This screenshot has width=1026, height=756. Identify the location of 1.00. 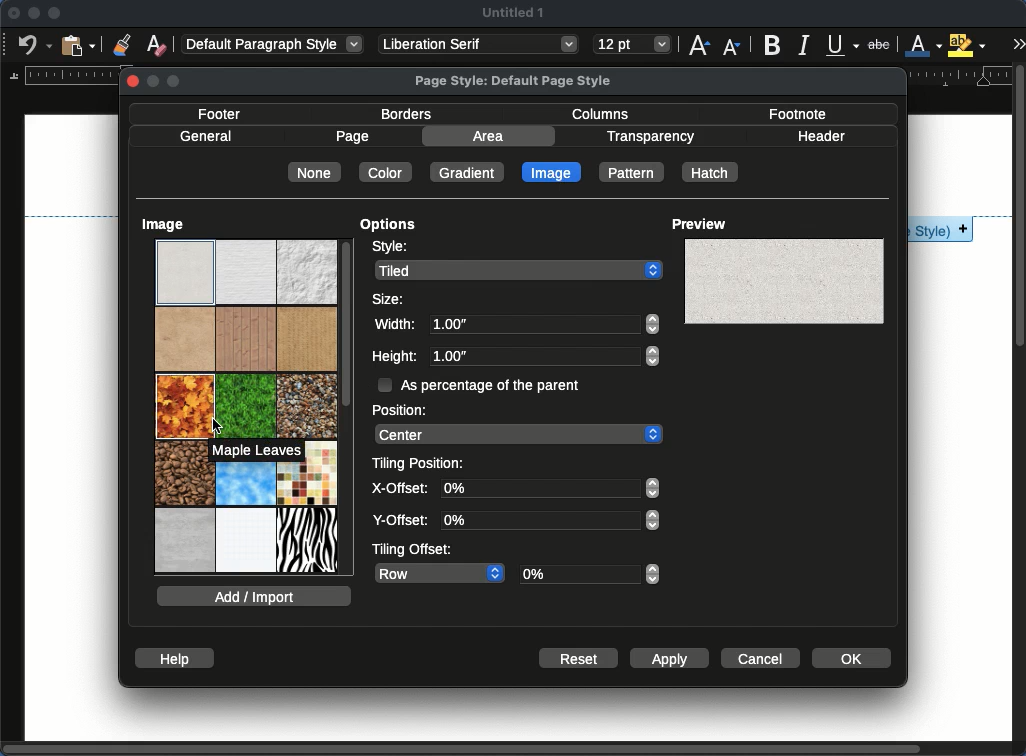
(544, 322).